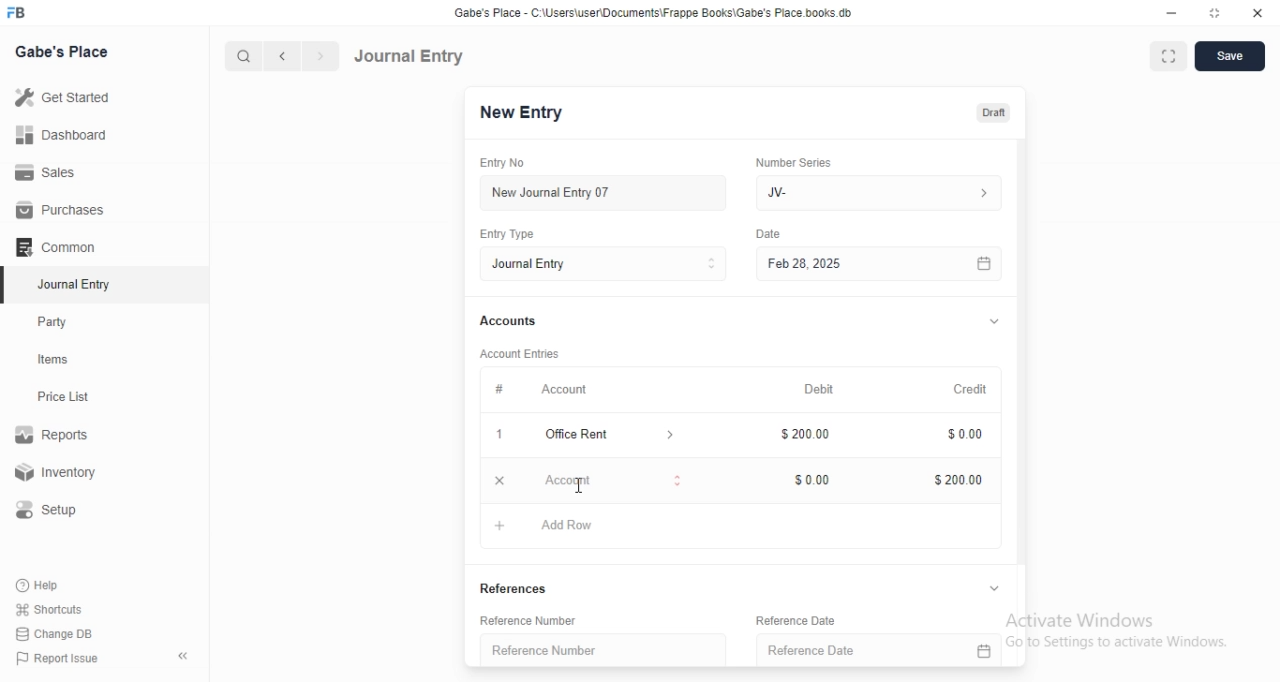  What do you see at coordinates (77, 284) in the screenshot?
I see `‘Journal Entry` at bounding box center [77, 284].